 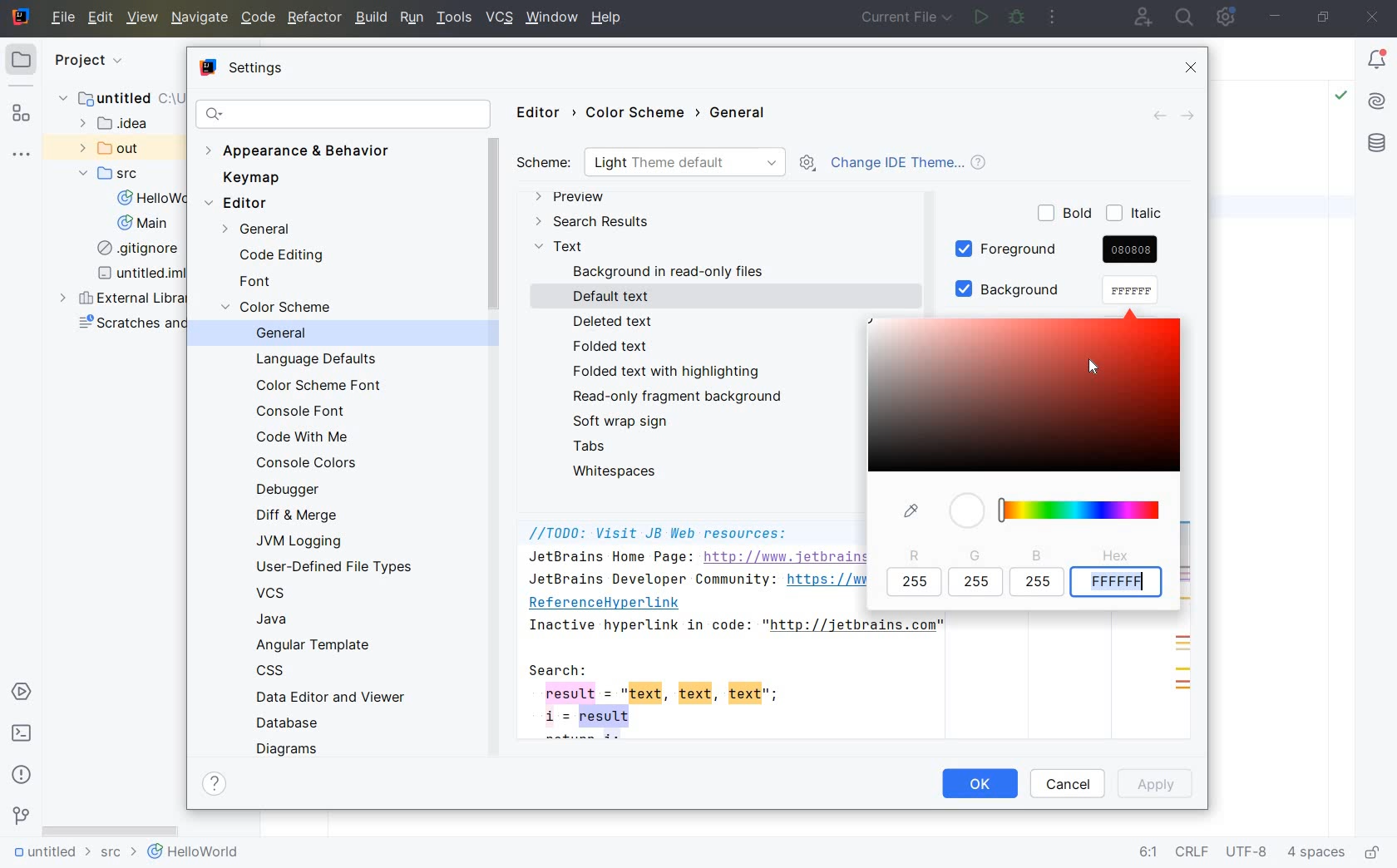 I want to click on FOREGROUND, so click(x=1057, y=250).